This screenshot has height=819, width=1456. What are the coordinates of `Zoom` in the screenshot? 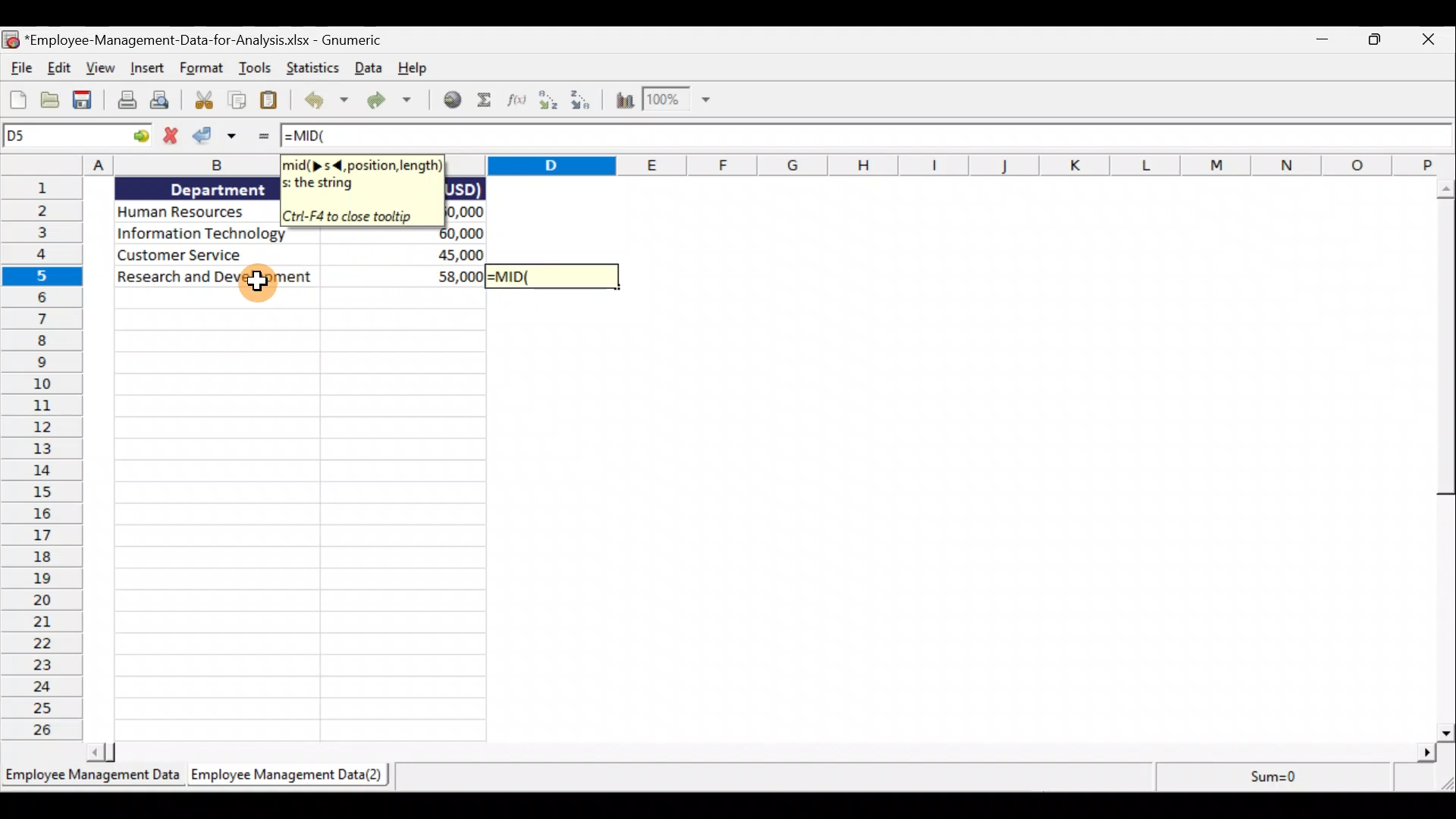 It's located at (686, 102).